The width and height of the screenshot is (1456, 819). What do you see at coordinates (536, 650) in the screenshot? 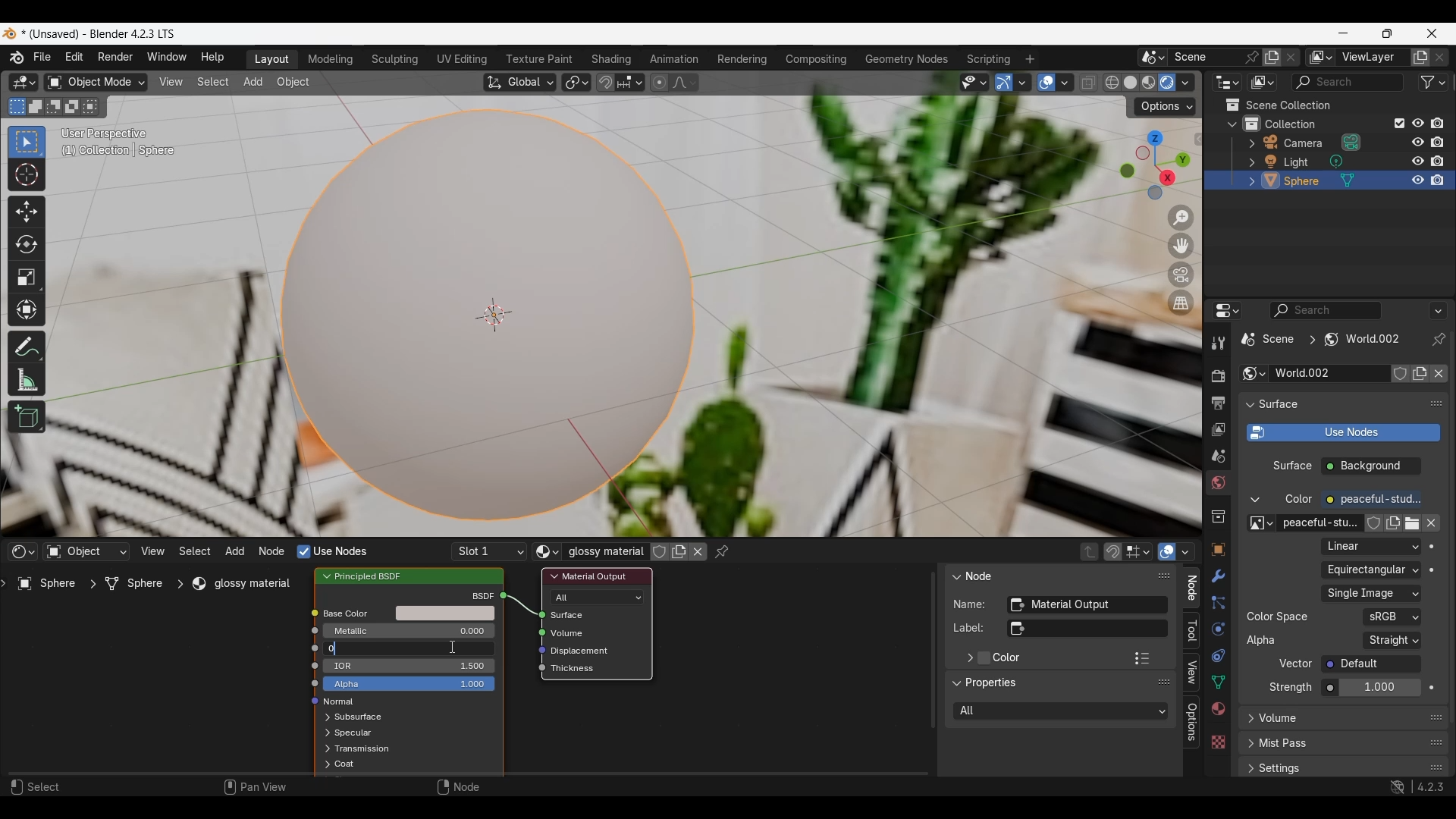
I see `icon` at bounding box center [536, 650].